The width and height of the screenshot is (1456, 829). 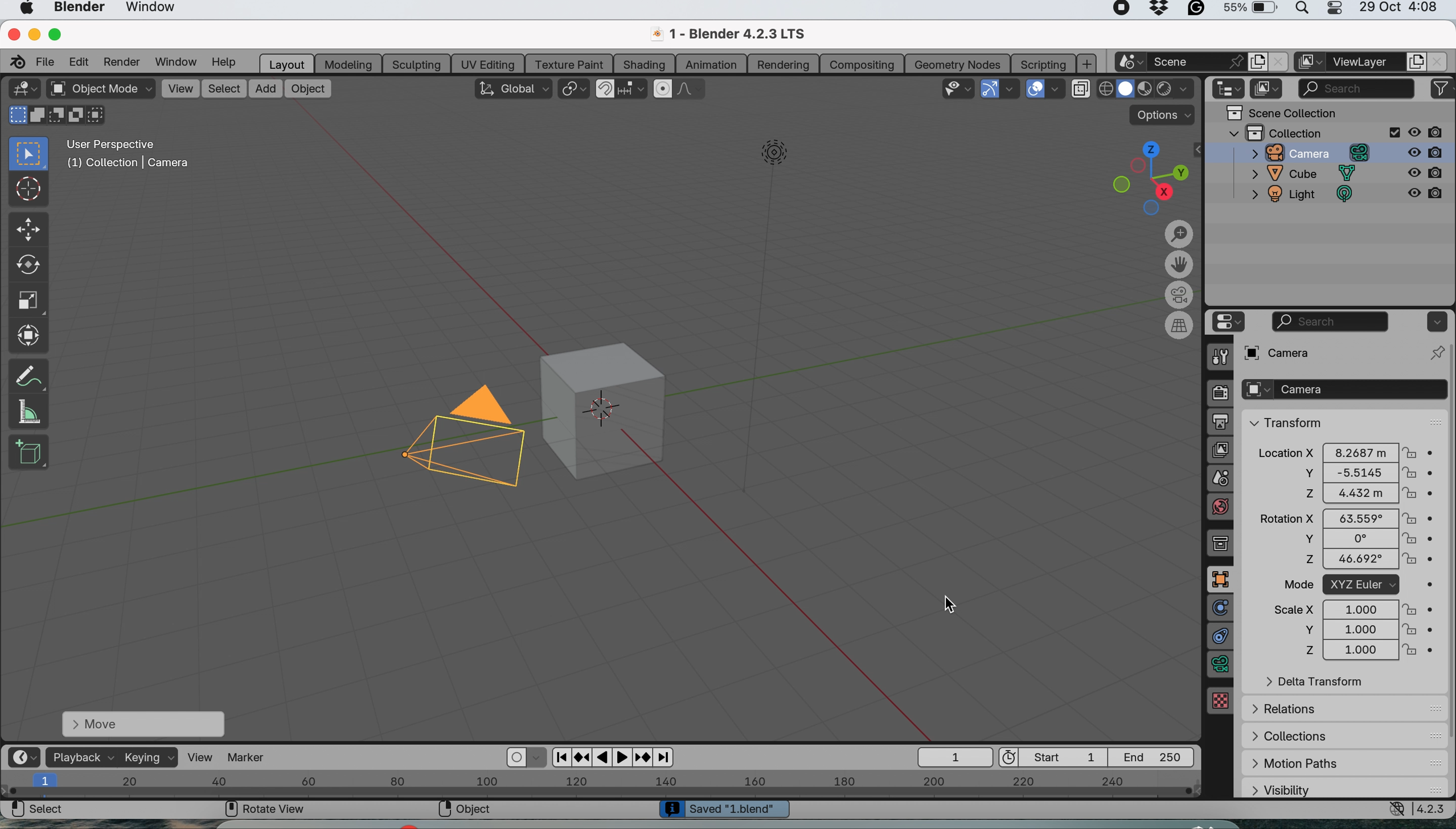 What do you see at coordinates (1036, 89) in the screenshot?
I see `show overlays` at bounding box center [1036, 89].